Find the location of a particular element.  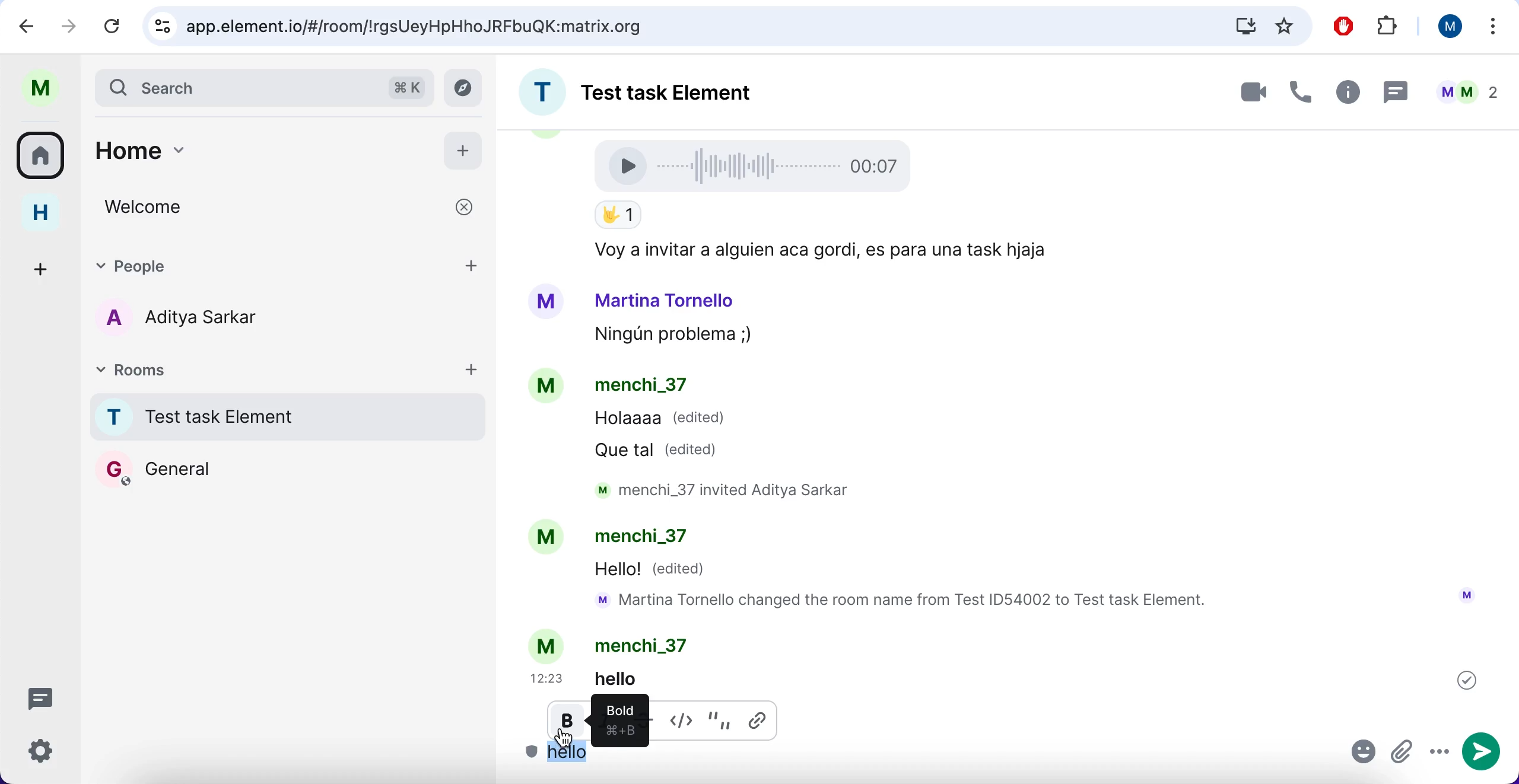

Voice Recording 00:07 is located at coordinates (757, 165).